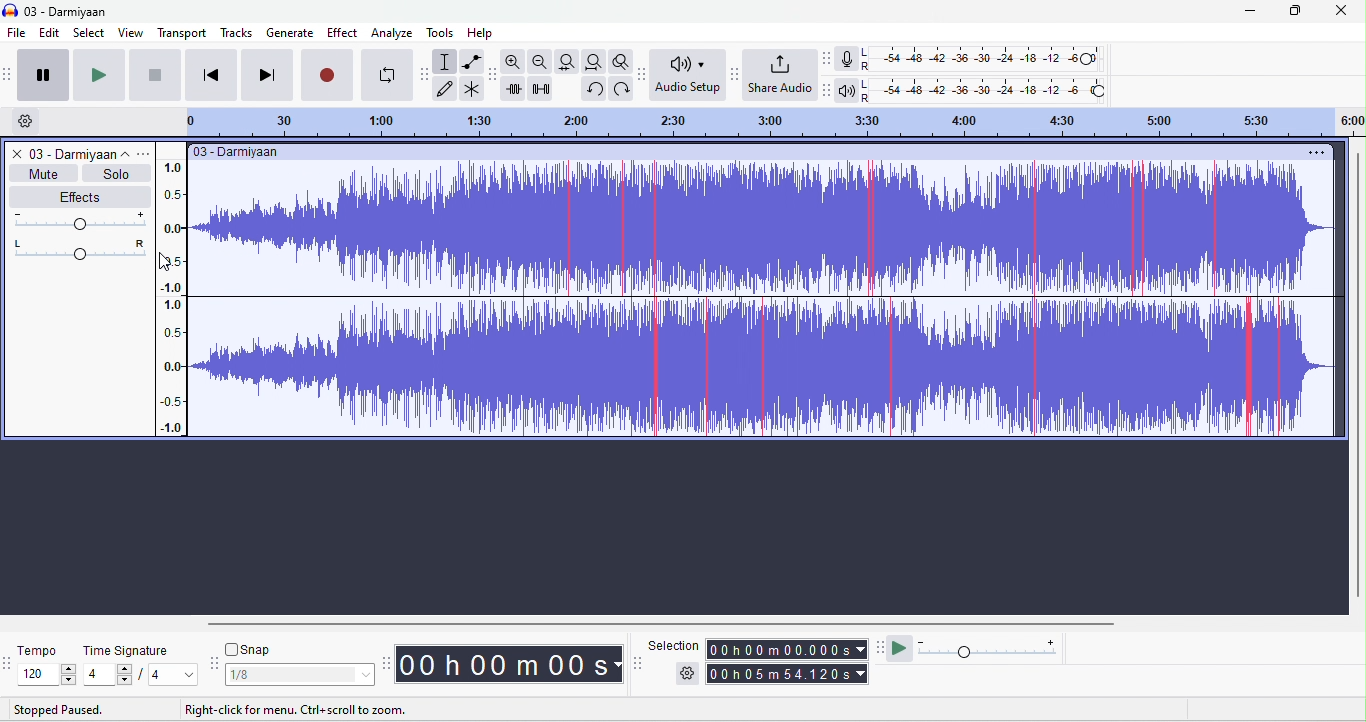 The image size is (1366, 722). I want to click on maximize, so click(1292, 11).